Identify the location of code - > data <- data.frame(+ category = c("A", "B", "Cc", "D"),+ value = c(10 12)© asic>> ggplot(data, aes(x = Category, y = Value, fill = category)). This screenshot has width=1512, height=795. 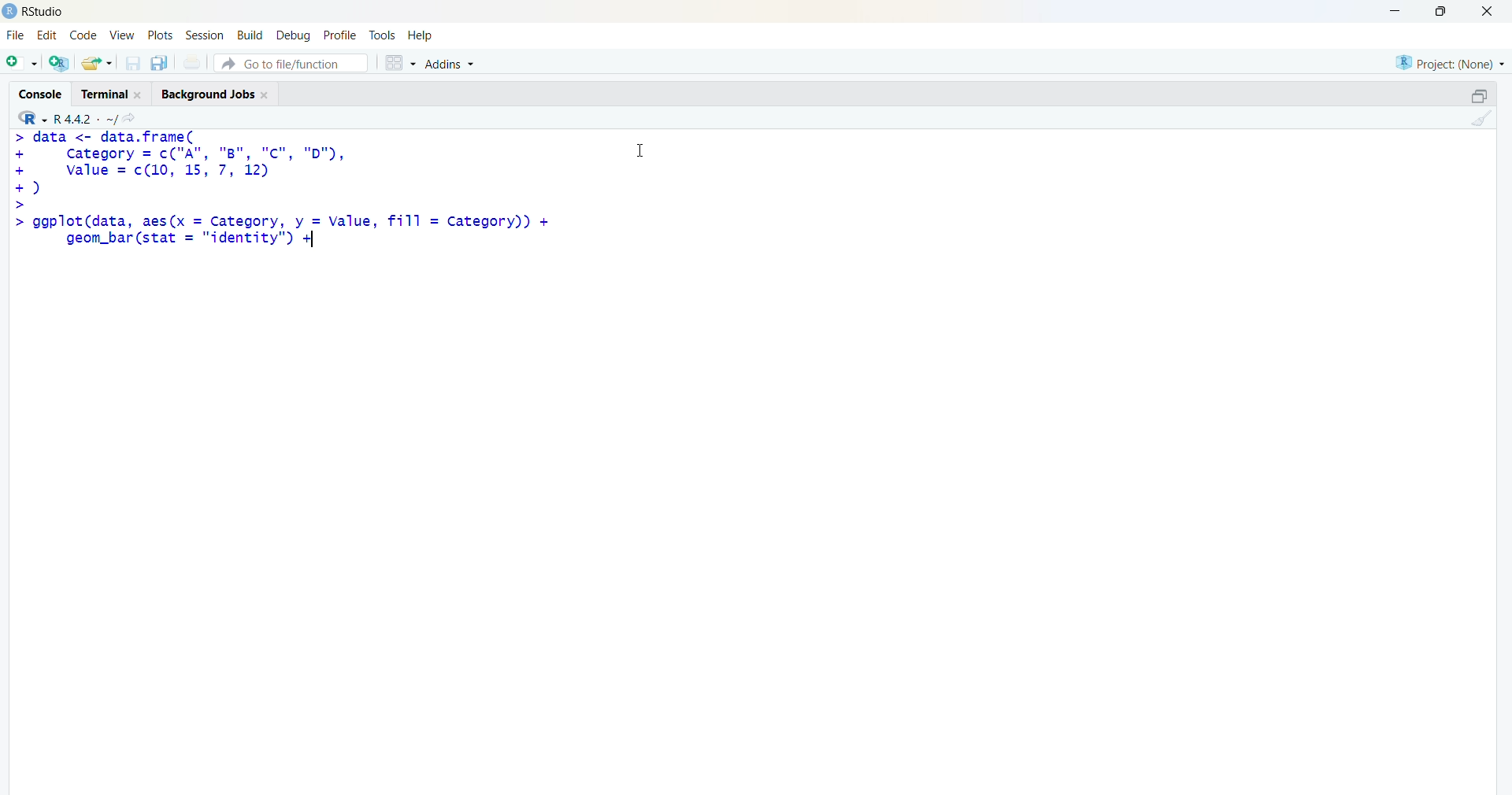
(295, 190).